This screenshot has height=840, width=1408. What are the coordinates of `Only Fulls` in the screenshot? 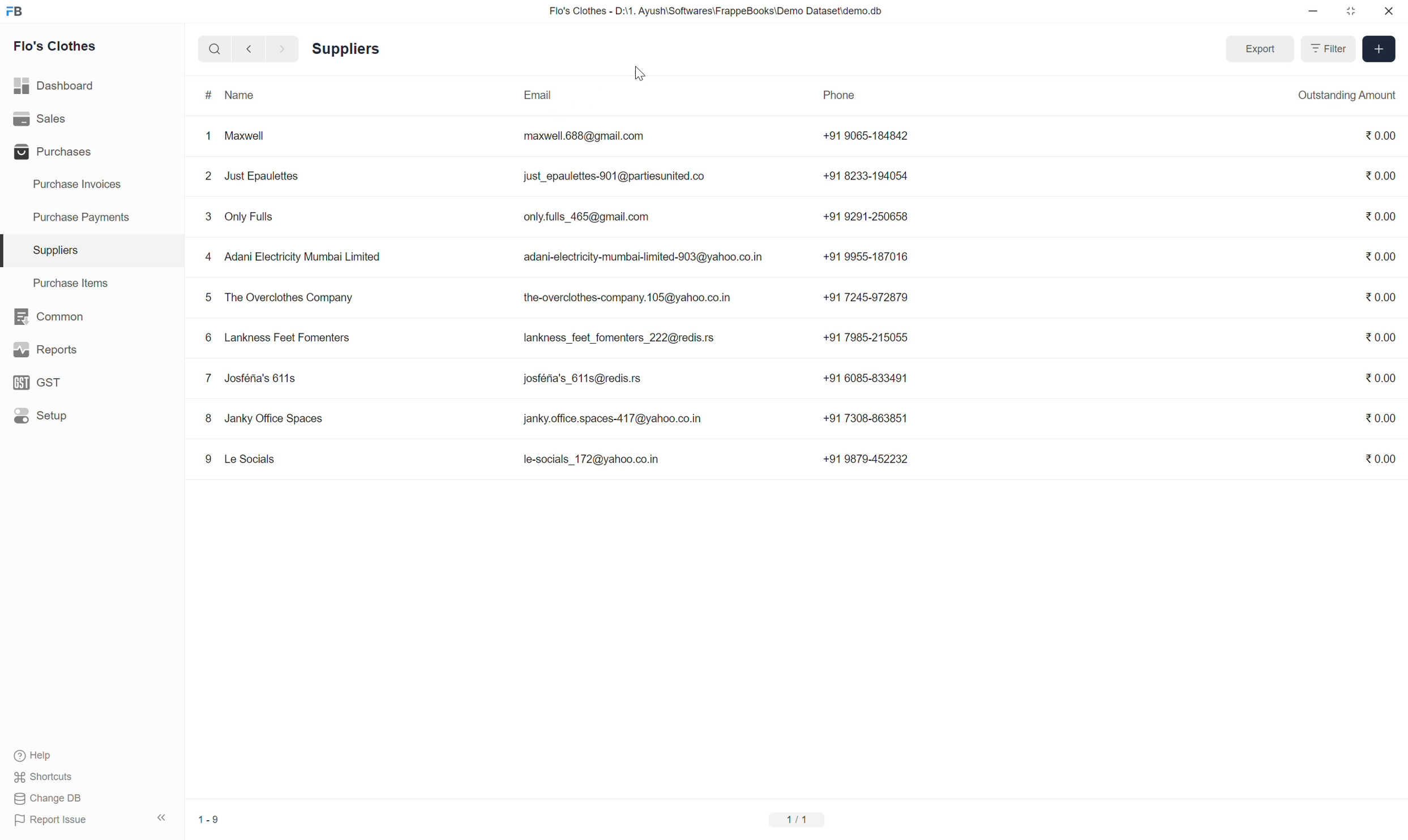 It's located at (252, 217).